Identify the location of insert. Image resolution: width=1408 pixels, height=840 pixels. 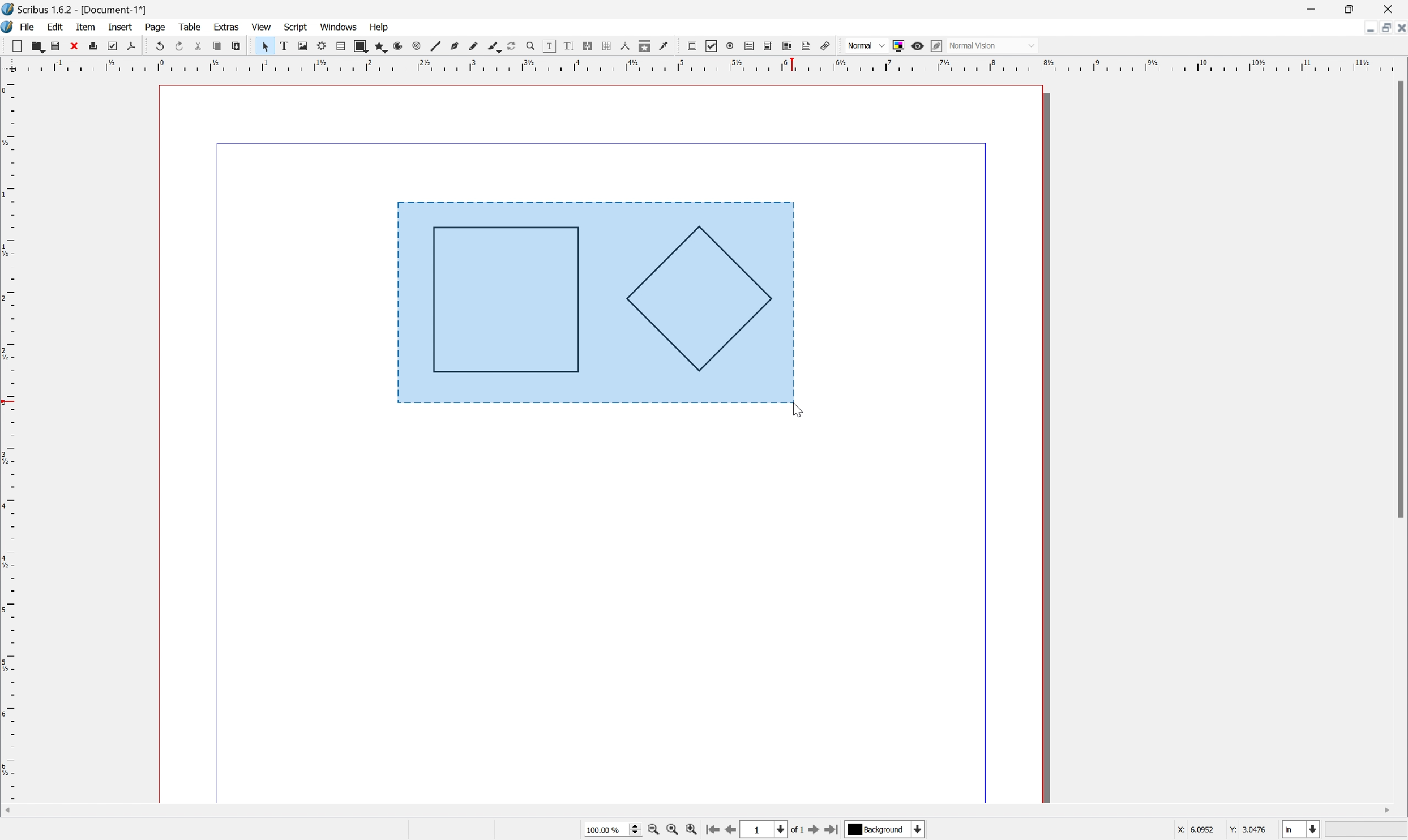
(121, 25).